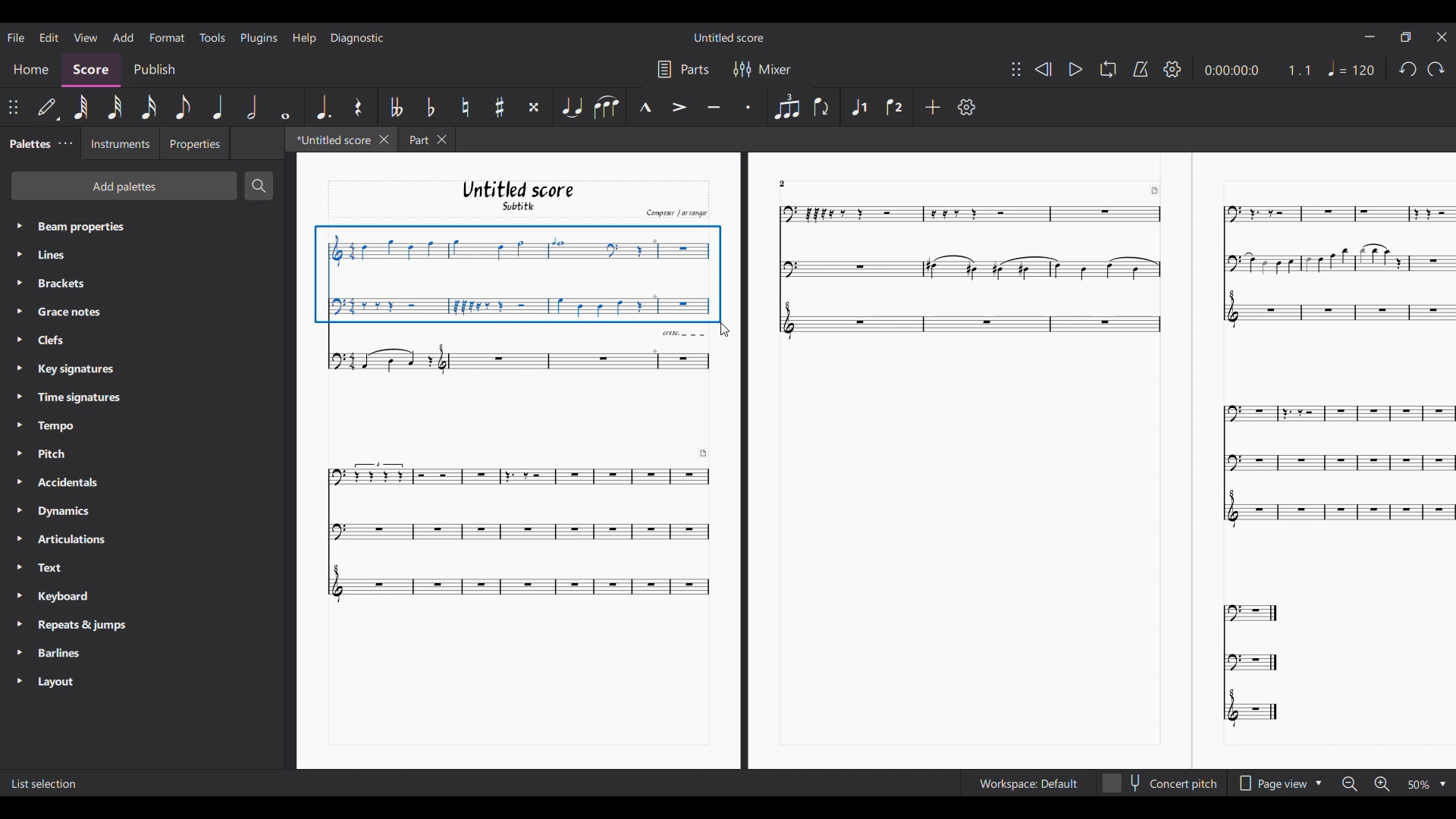 The image size is (1456, 819). Describe the element at coordinates (786, 106) in the screenshot. I see `Tuplet` at that location.